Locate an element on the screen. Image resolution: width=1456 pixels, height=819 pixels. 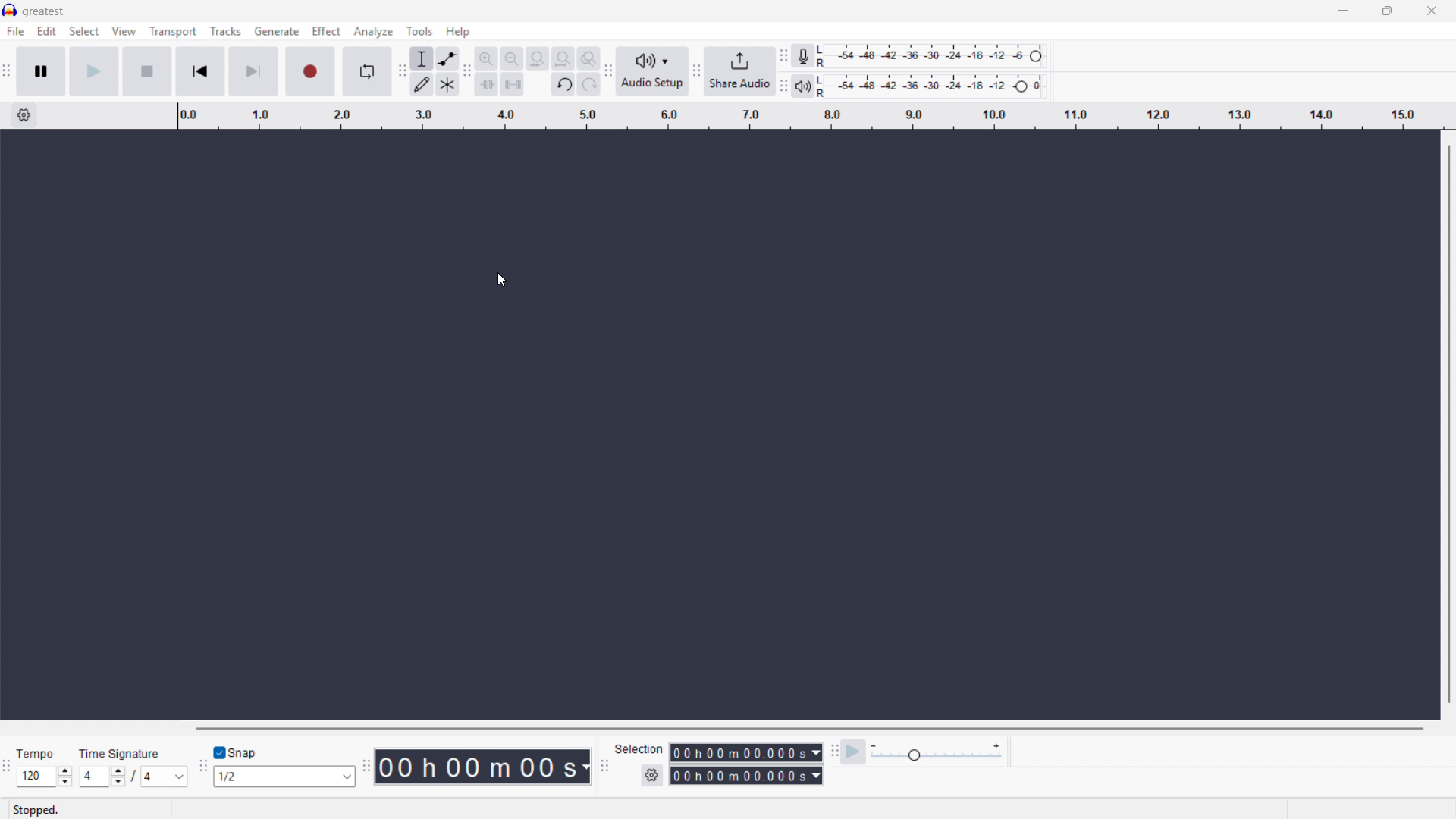
Time signature toolbar  is located at coordinates (7, 772).